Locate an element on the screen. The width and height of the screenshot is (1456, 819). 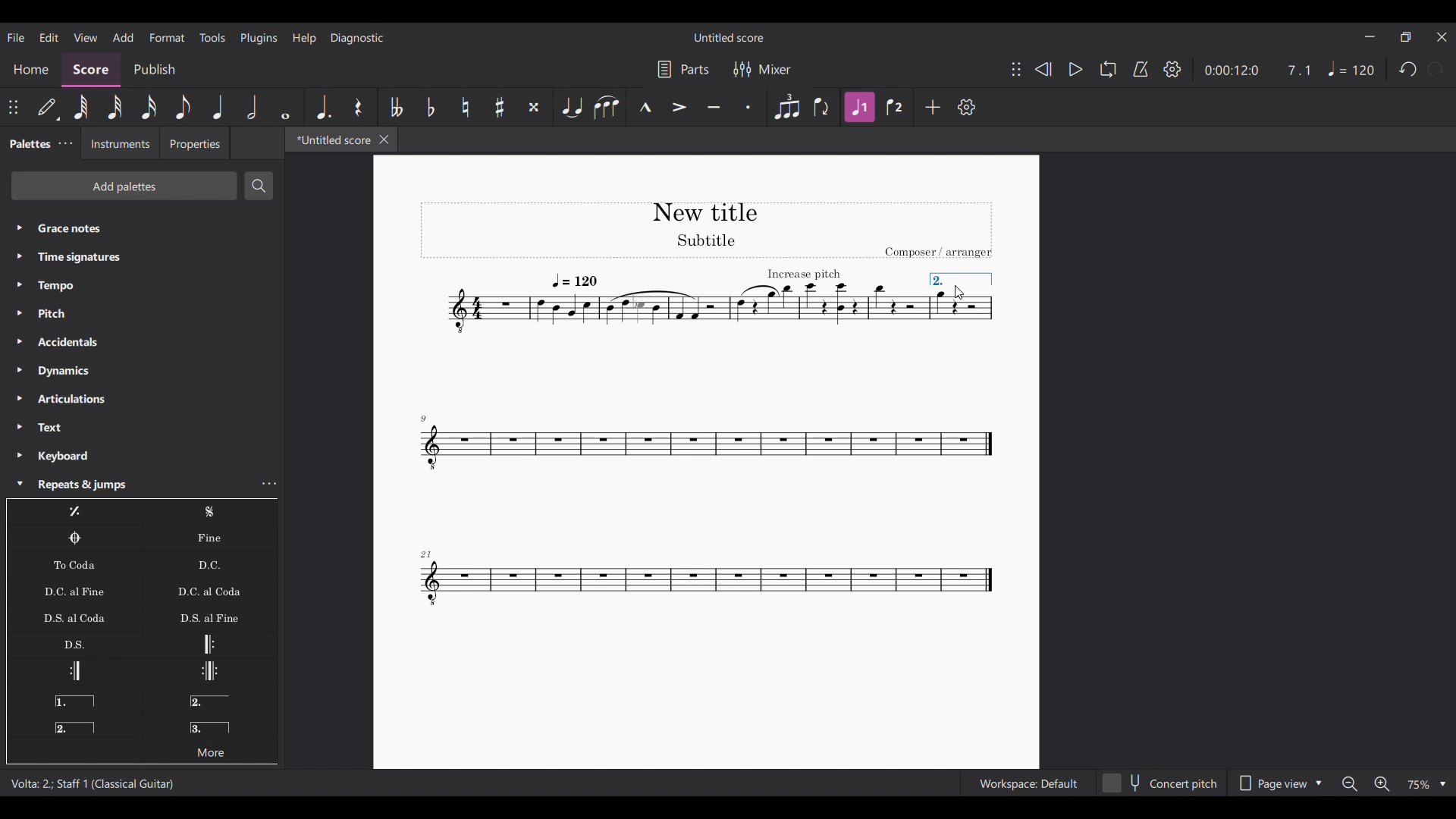
Toggle sharp is located at coordinates (499, 107).